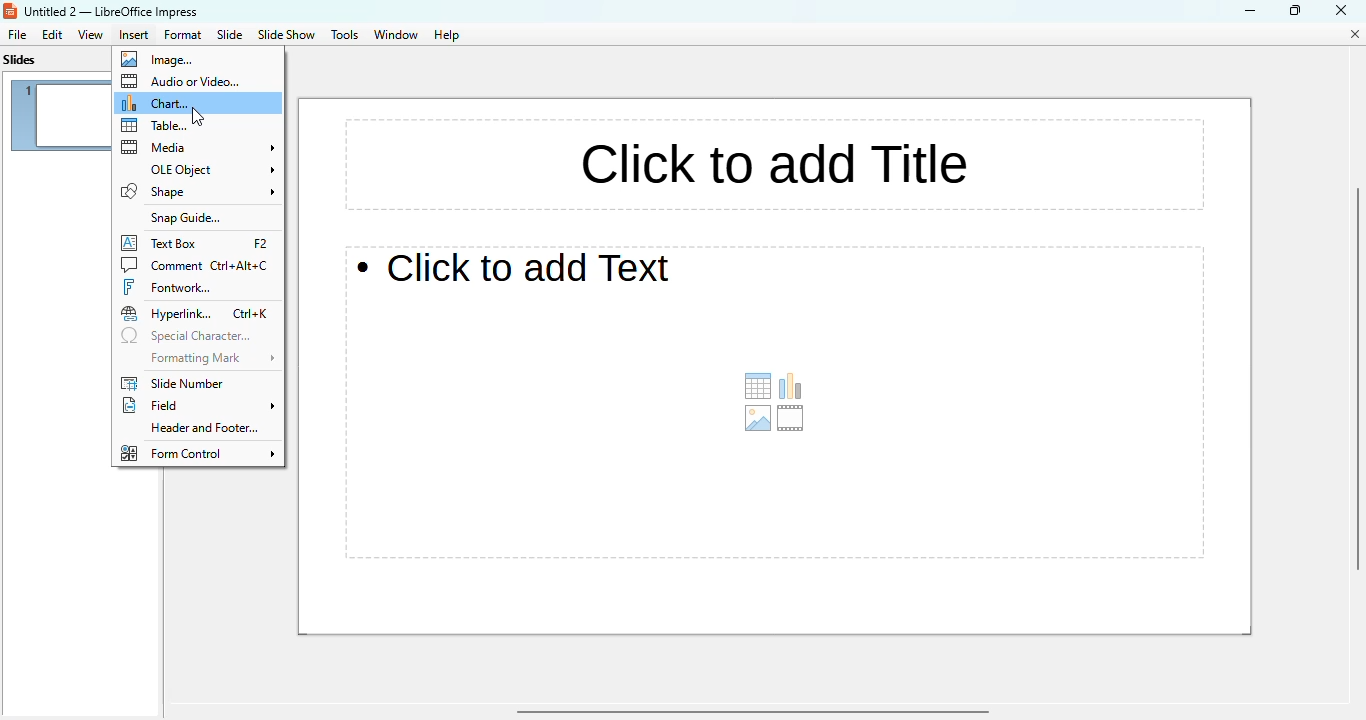 The width and height of the screenshot is (1366, 720). What do you see at coordinates (207, 428) in the screenshot?
I see `header and footer` at bounding box center [207, 428].